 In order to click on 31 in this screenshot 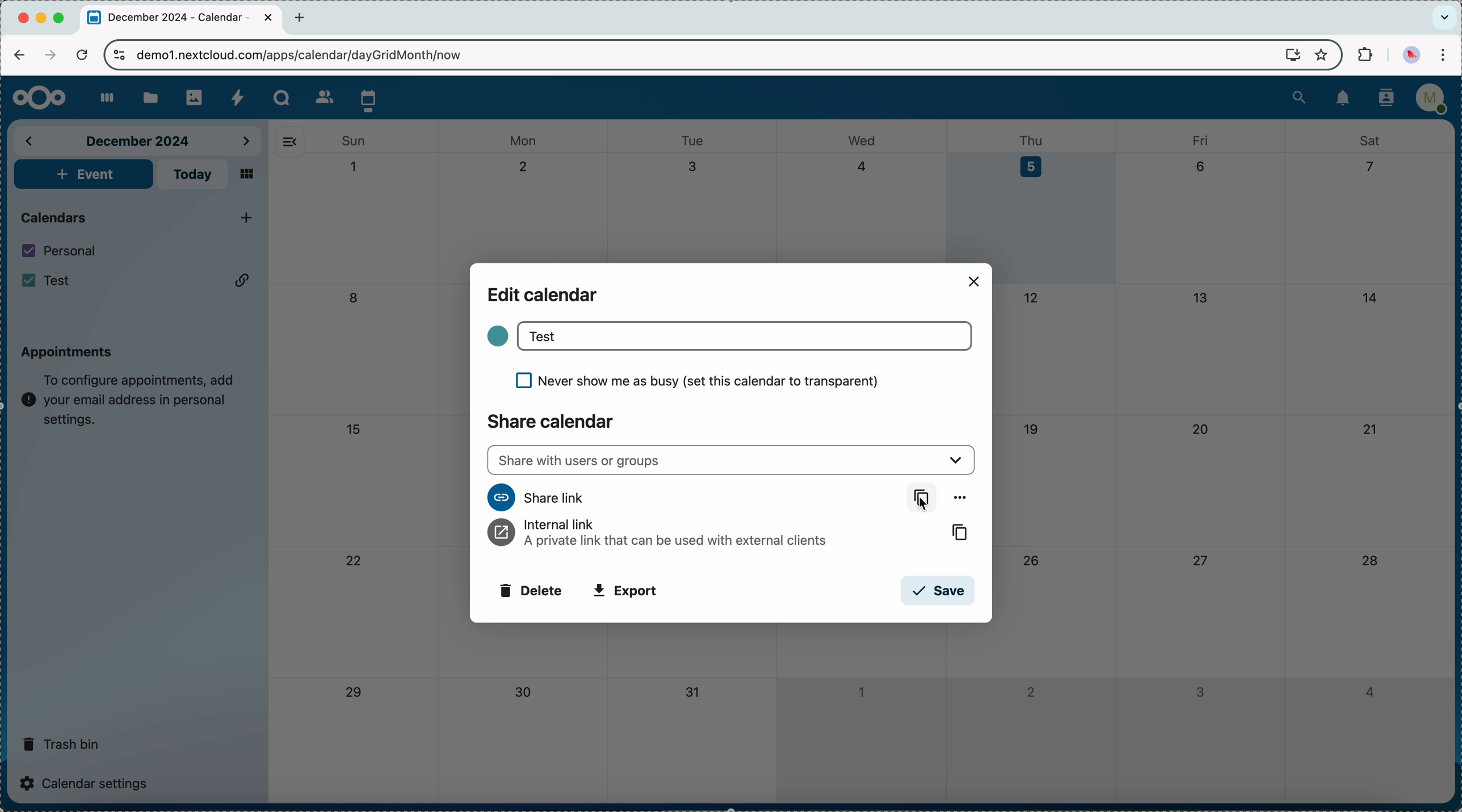, I will do `click(694, 693)`.